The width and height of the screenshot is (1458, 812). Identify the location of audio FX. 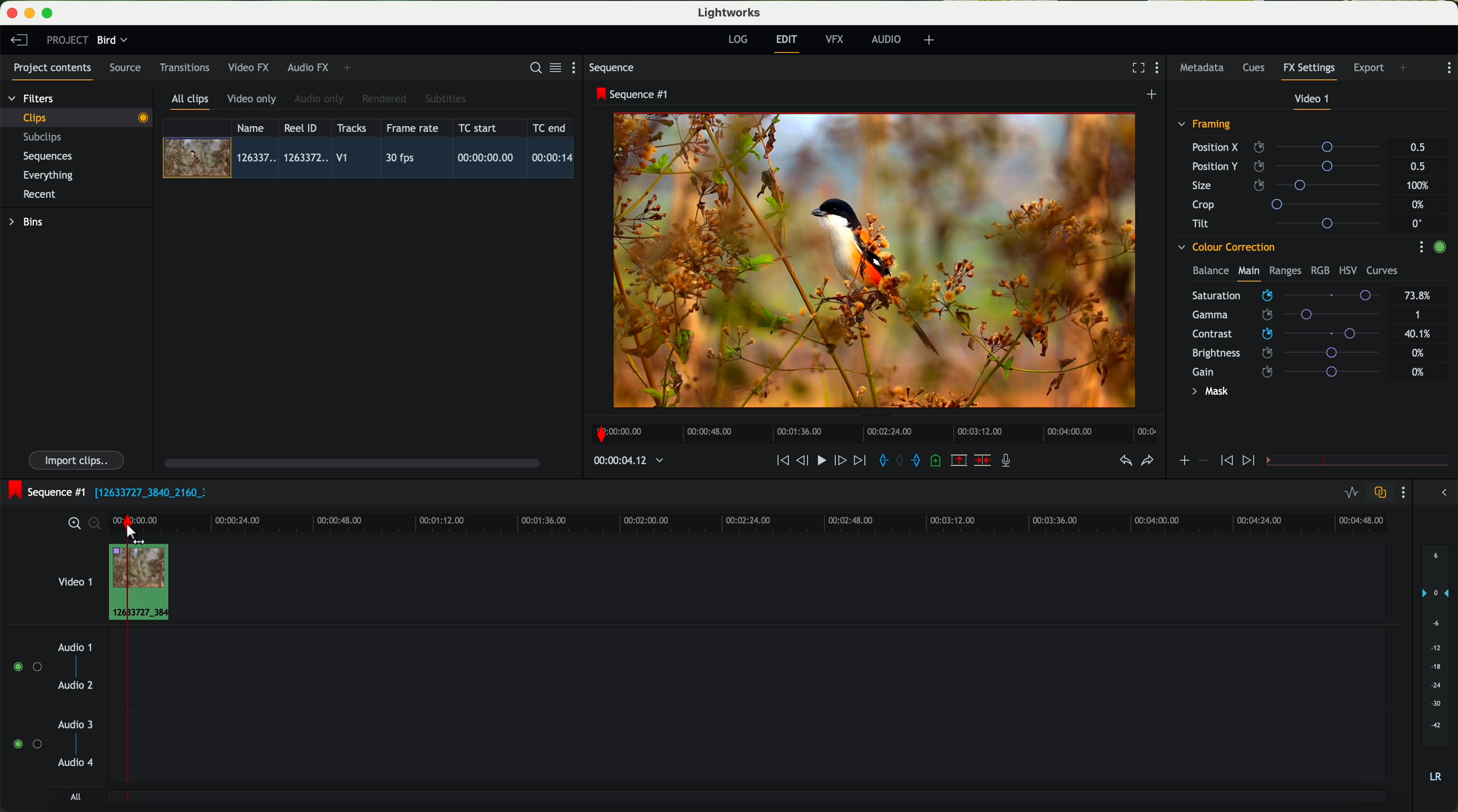
(308, 67).